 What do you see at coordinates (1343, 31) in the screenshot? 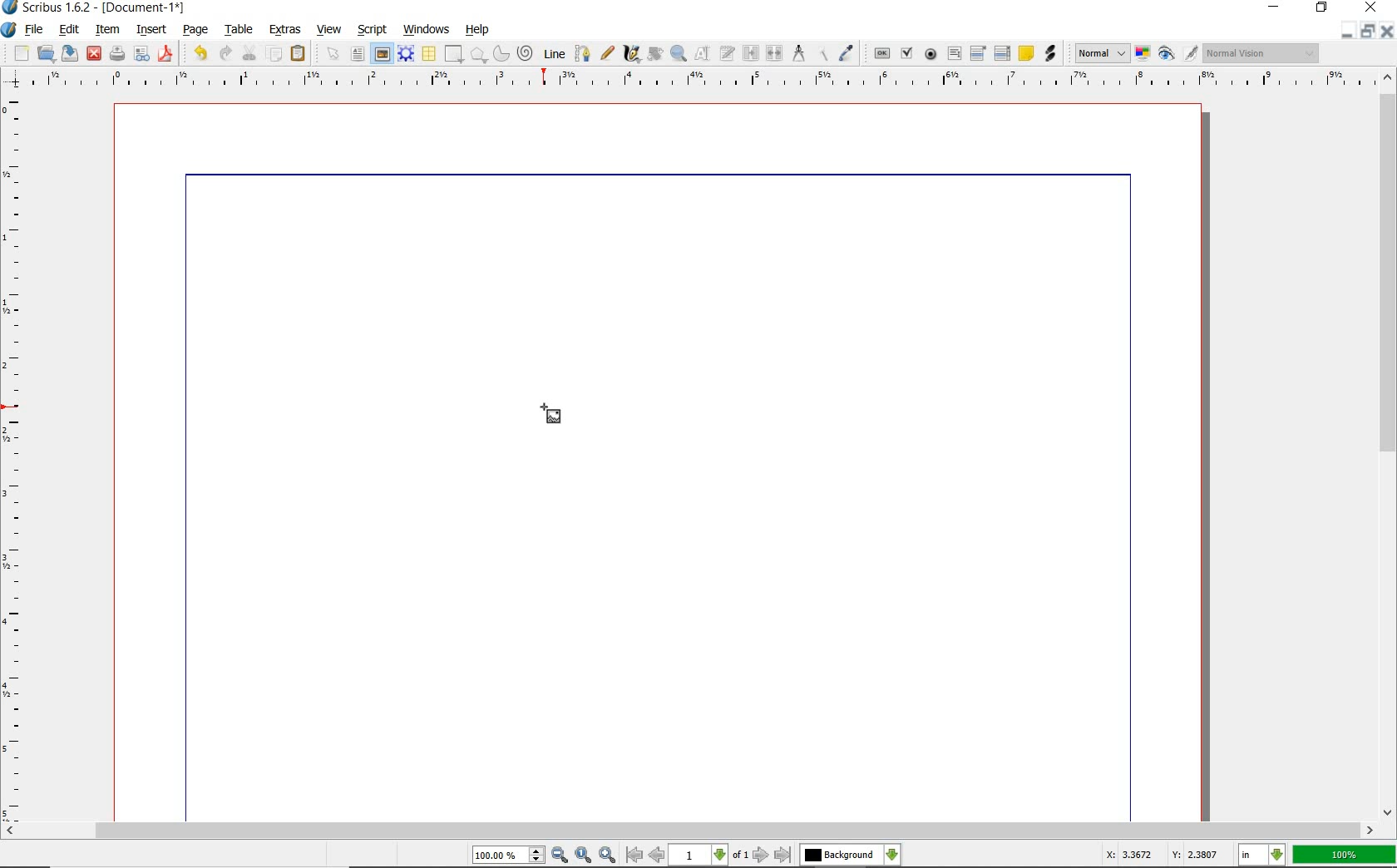
I see `Restore Down` at bounding box center [1343, 31].